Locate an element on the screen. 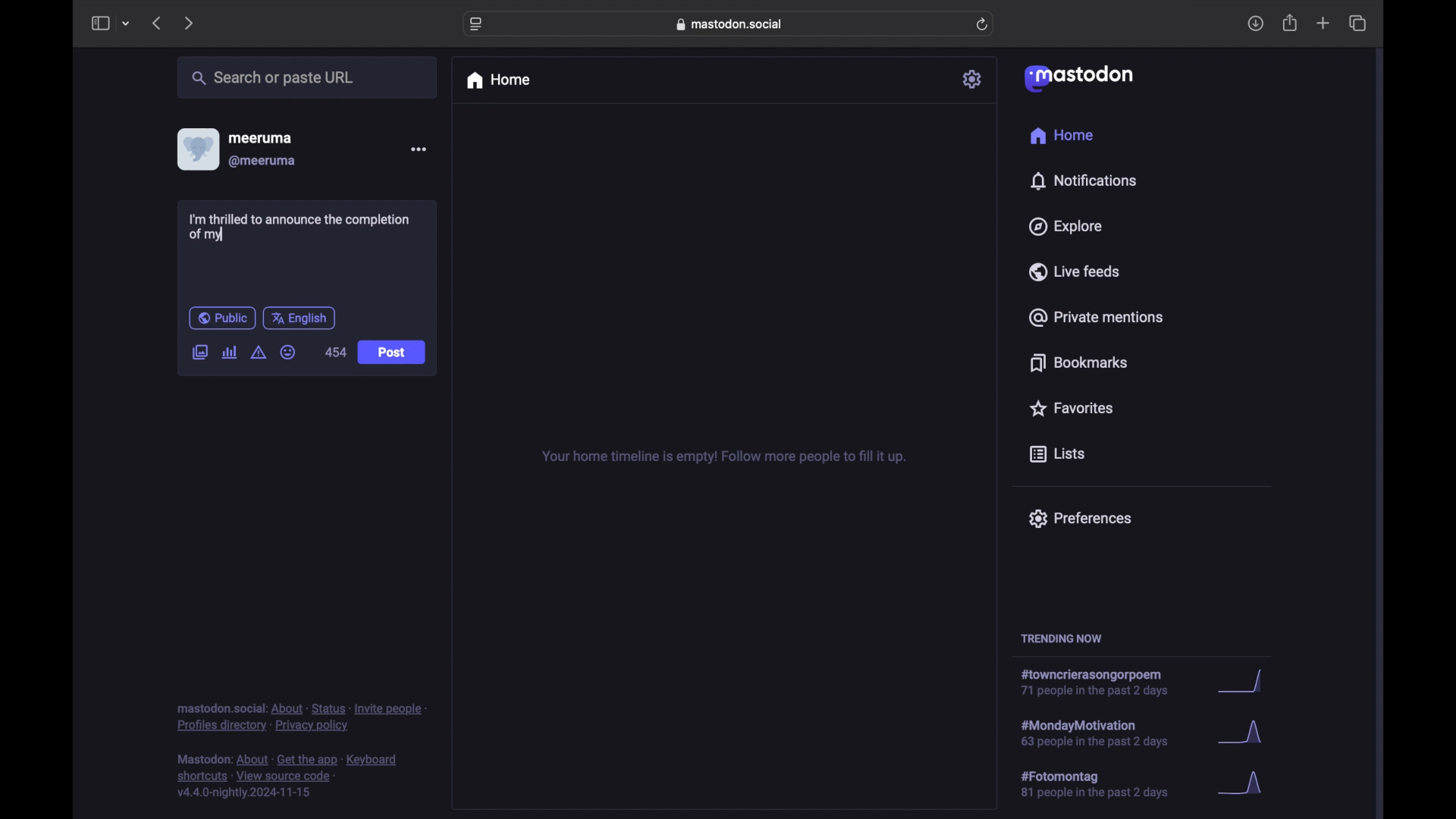 Image resolution: width=1456 pixels, height=819 pixels. website settings is located at coordinates (476, 25).